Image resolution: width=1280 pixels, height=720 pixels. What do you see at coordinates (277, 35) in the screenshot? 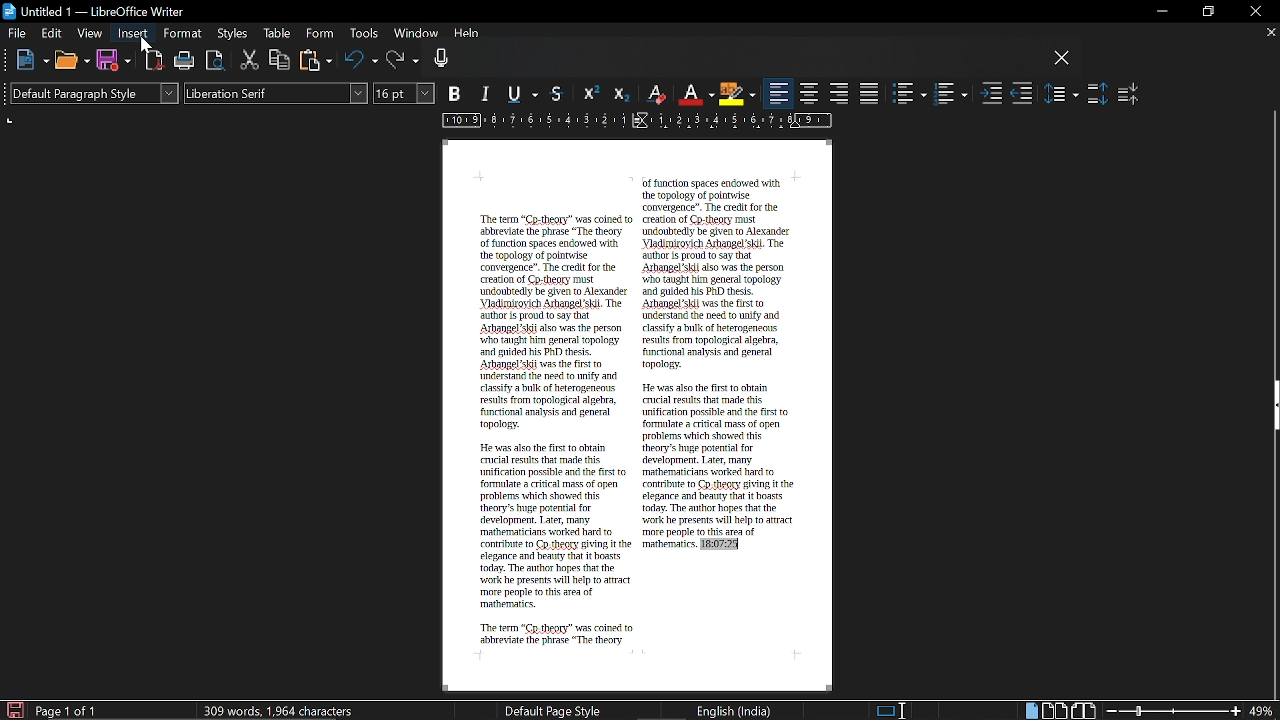
I see `Table` at bounding box center [277, 35].